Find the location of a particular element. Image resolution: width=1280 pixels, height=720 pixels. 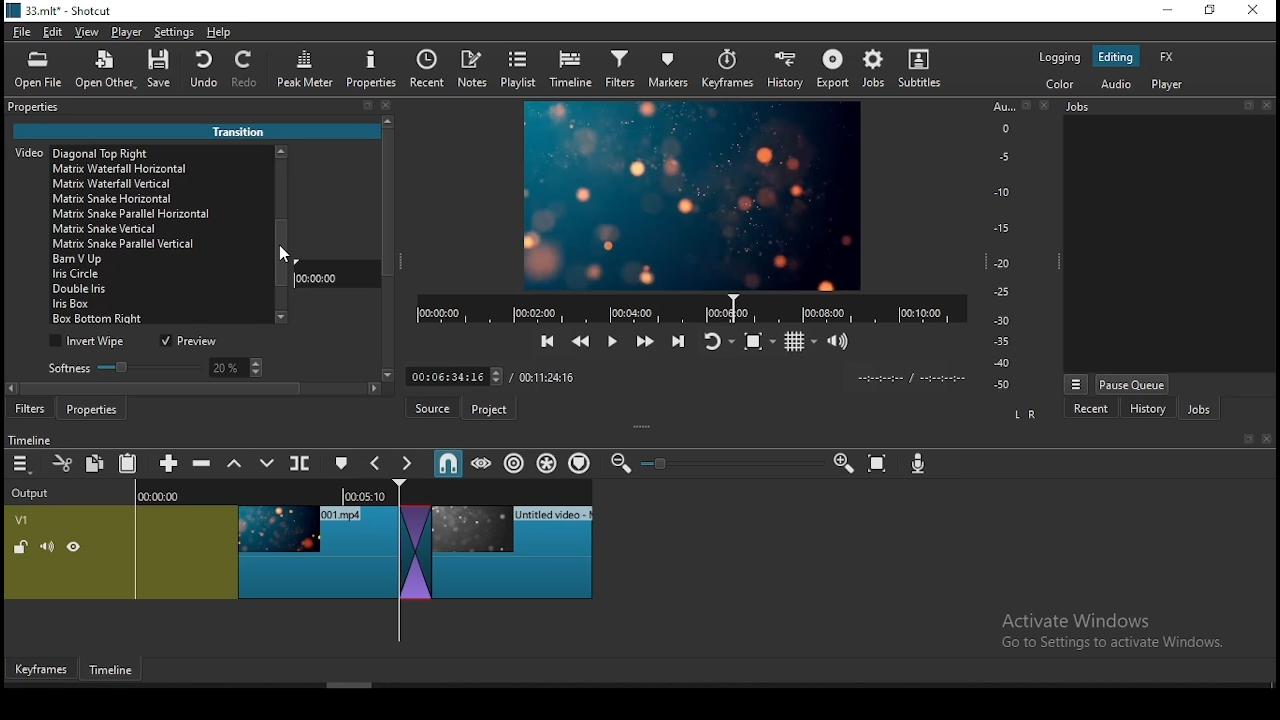

pause queue is located at coordinates (1131, 384).